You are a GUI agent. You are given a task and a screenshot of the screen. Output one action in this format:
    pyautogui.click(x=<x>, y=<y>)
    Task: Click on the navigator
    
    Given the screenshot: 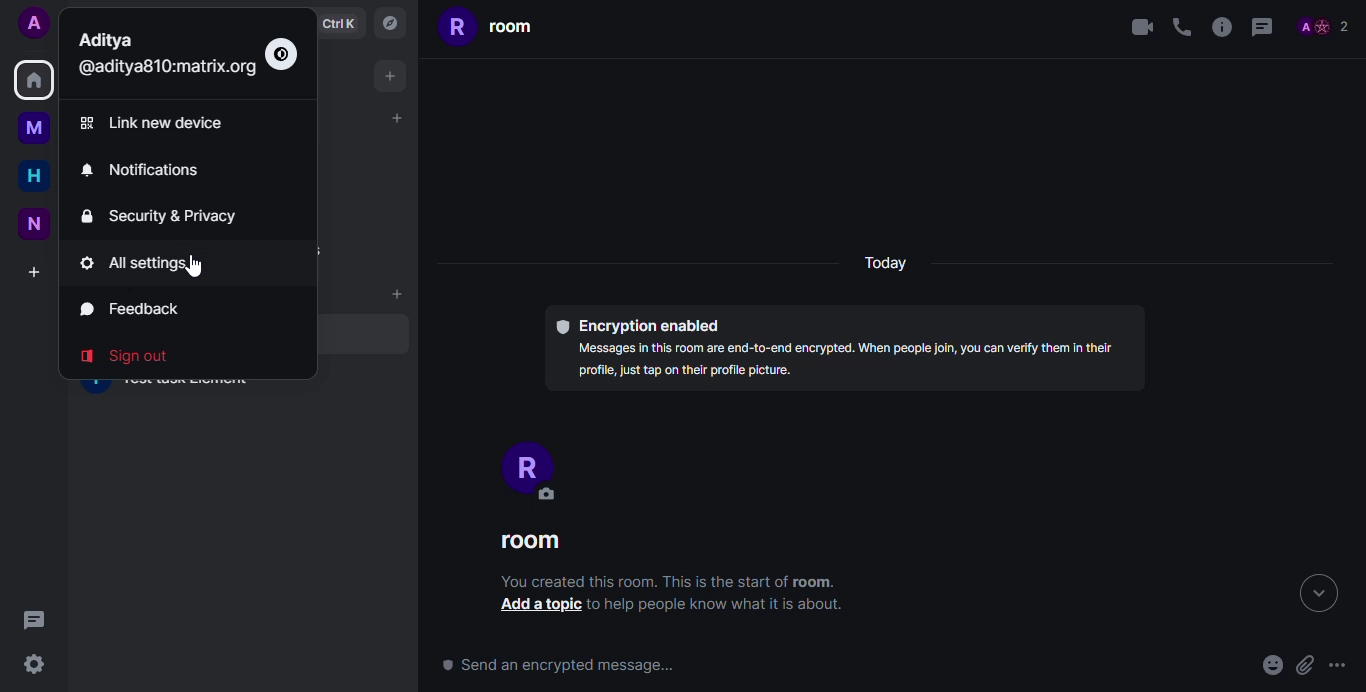 What is the action you would take?
    pyautogui.click(x=390, y=21)
    